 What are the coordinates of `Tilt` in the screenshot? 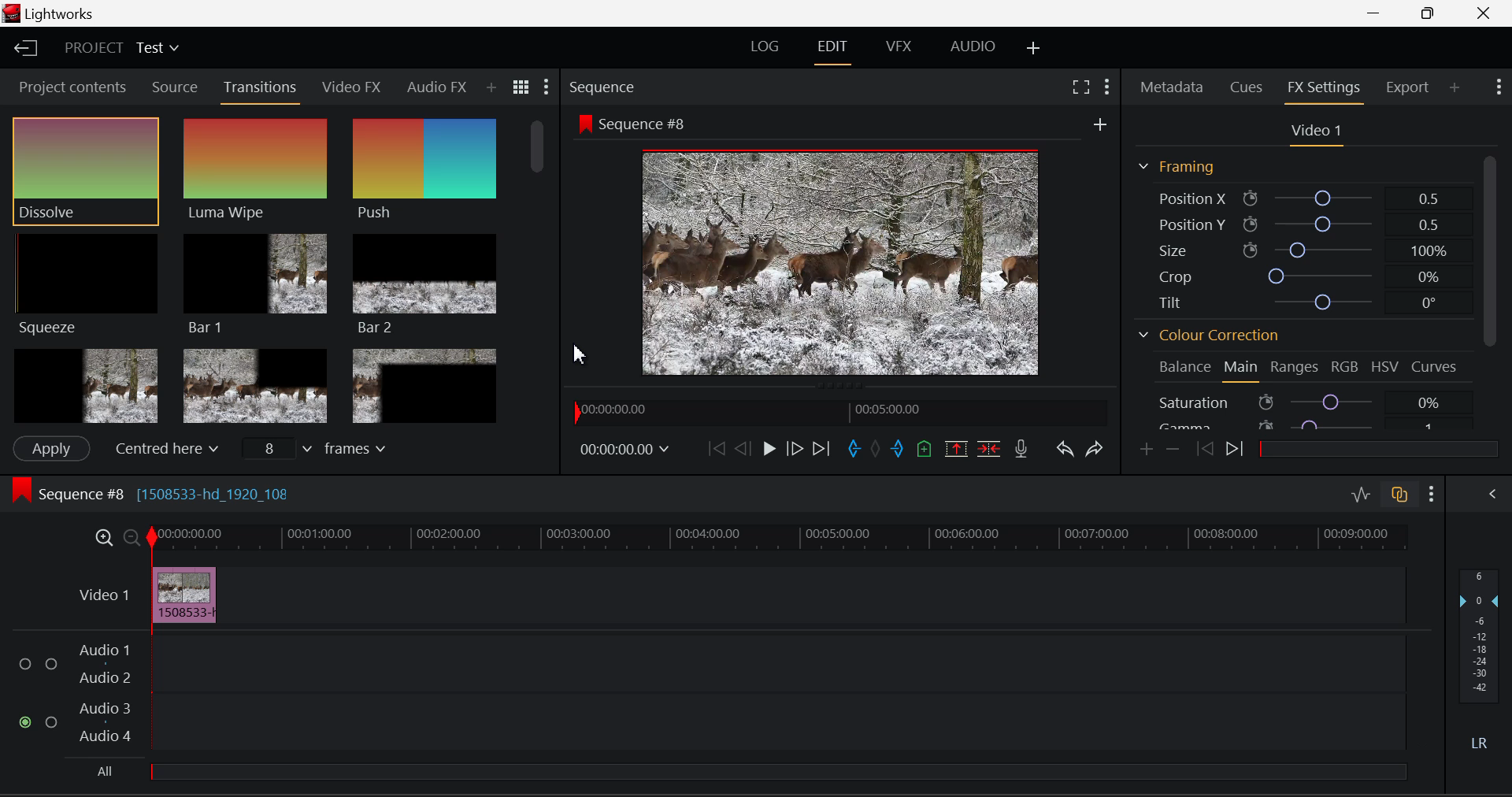 It's located at (1307, 300).